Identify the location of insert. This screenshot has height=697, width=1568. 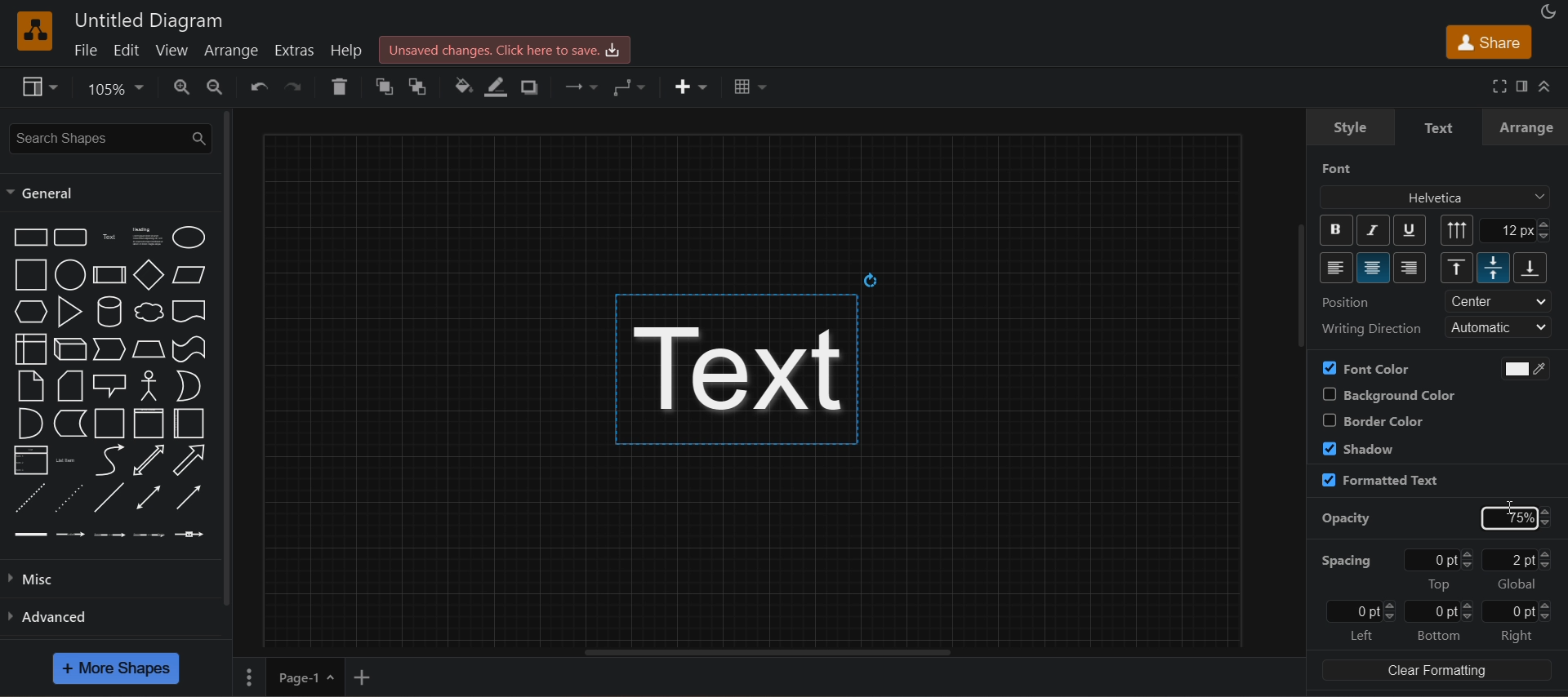
(691, 87).